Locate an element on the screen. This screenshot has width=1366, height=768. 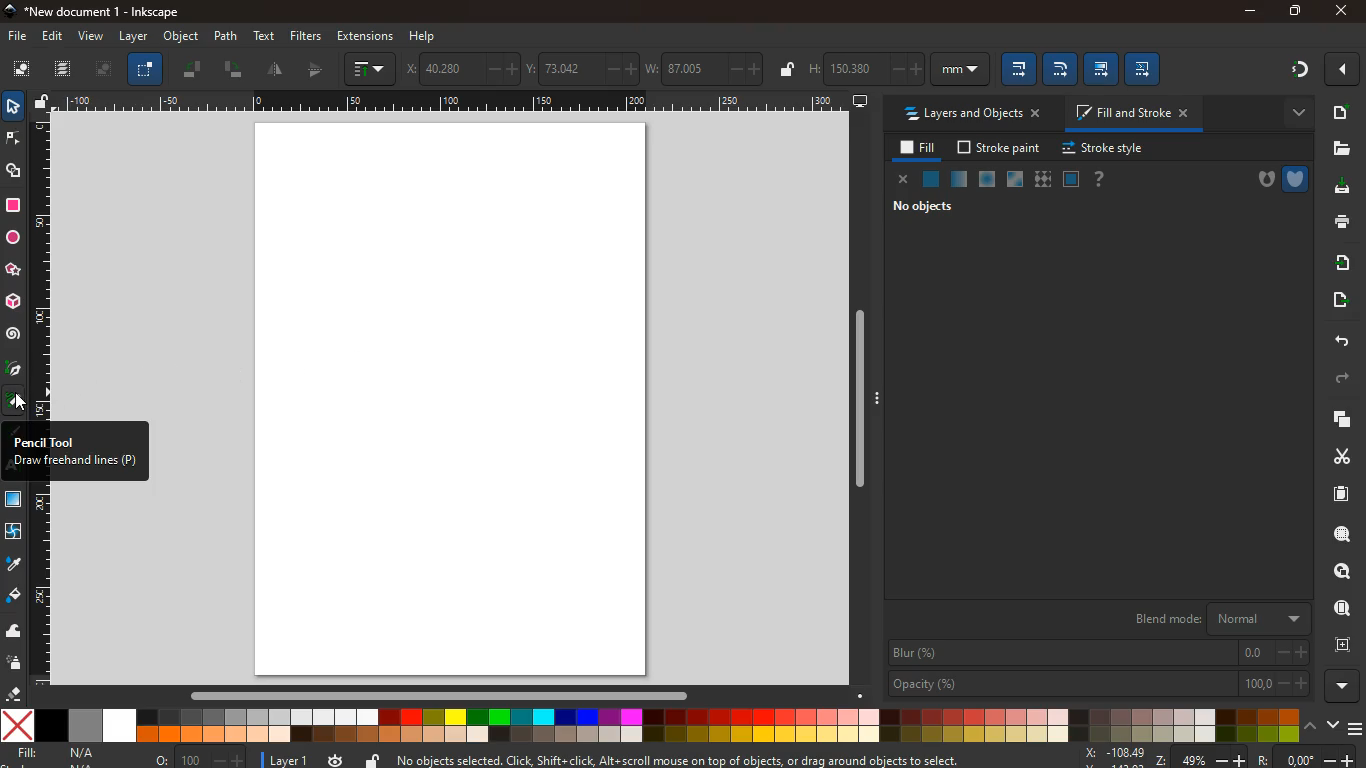
fill is located at coordinates (914, 148).